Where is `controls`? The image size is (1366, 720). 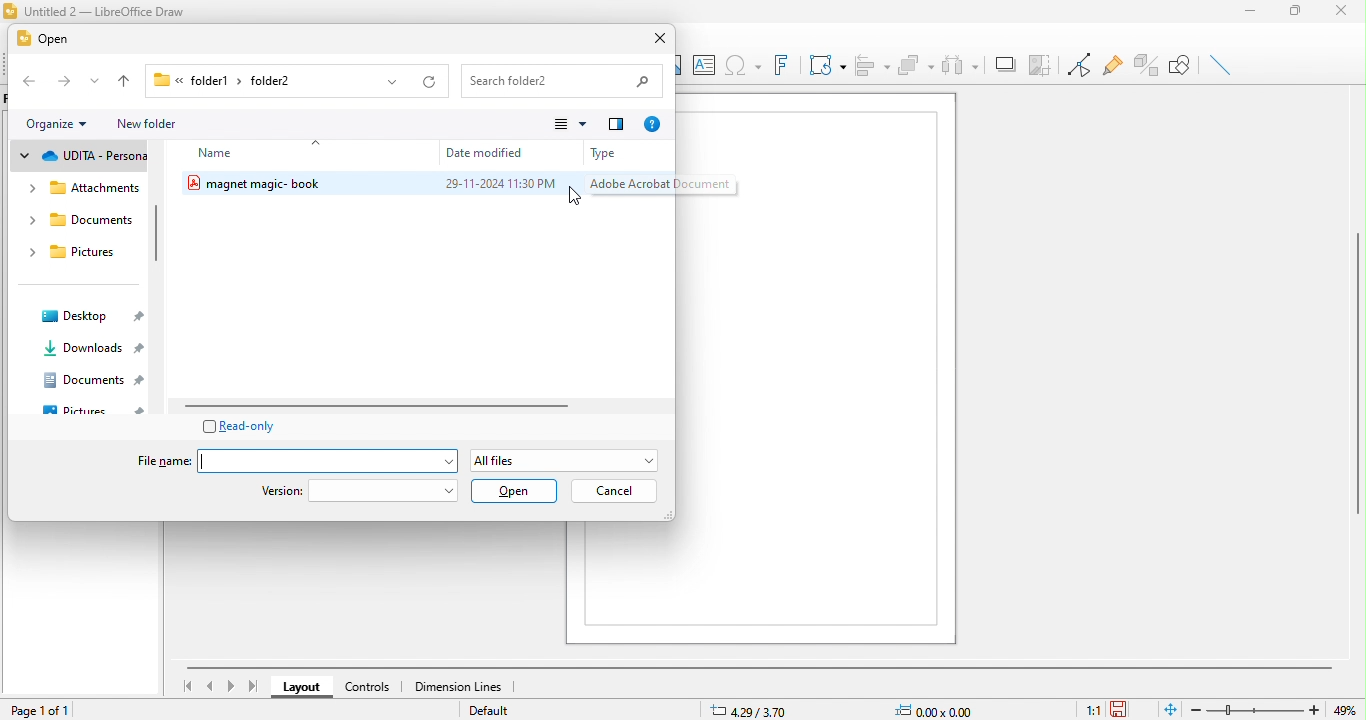 controls is located at coordinates (368, 689).